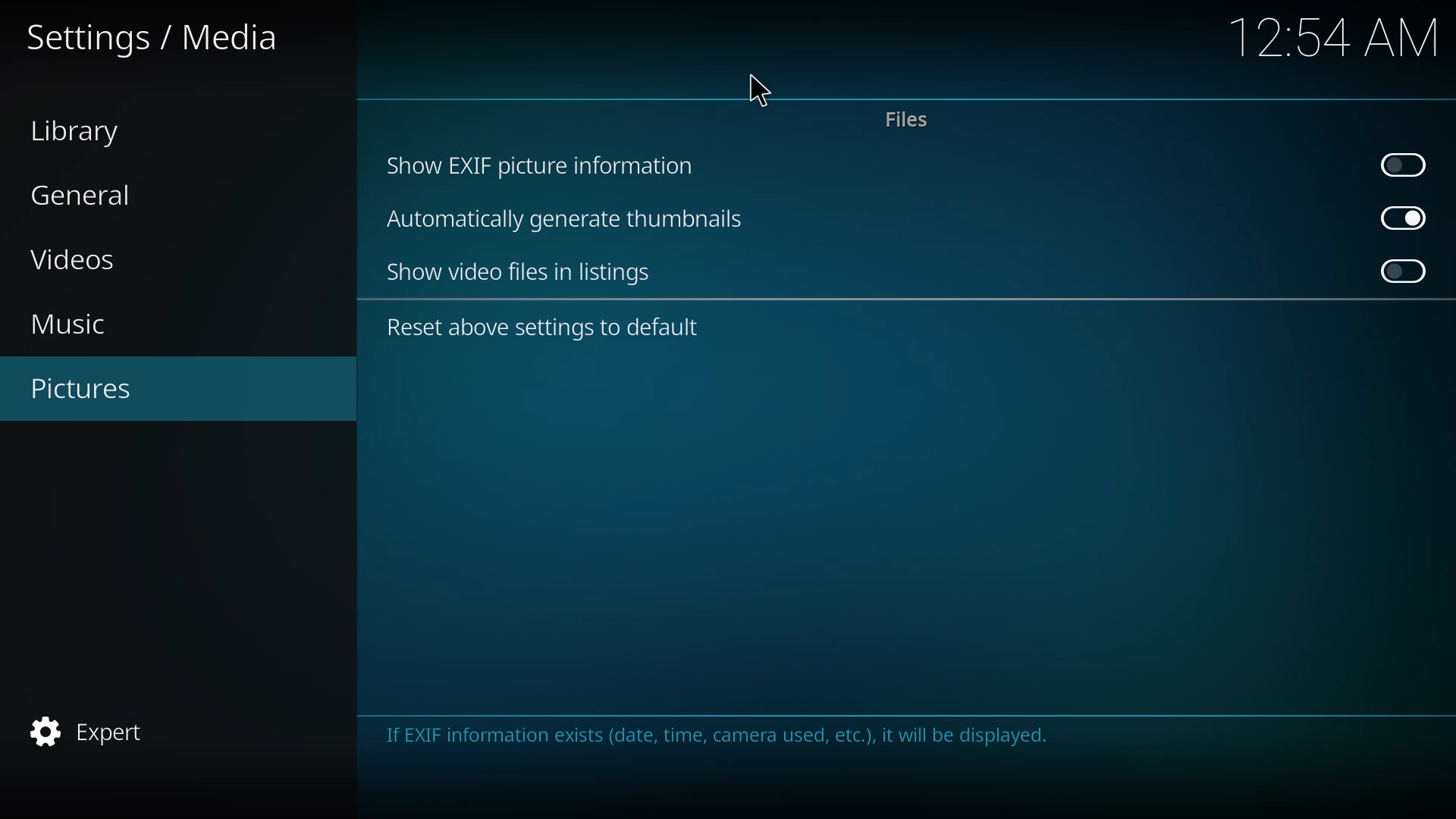 This screenshot has height=819, width=1456. Describe the element at coordinates (720, 730) in the screenshot. I see `info` at that location.